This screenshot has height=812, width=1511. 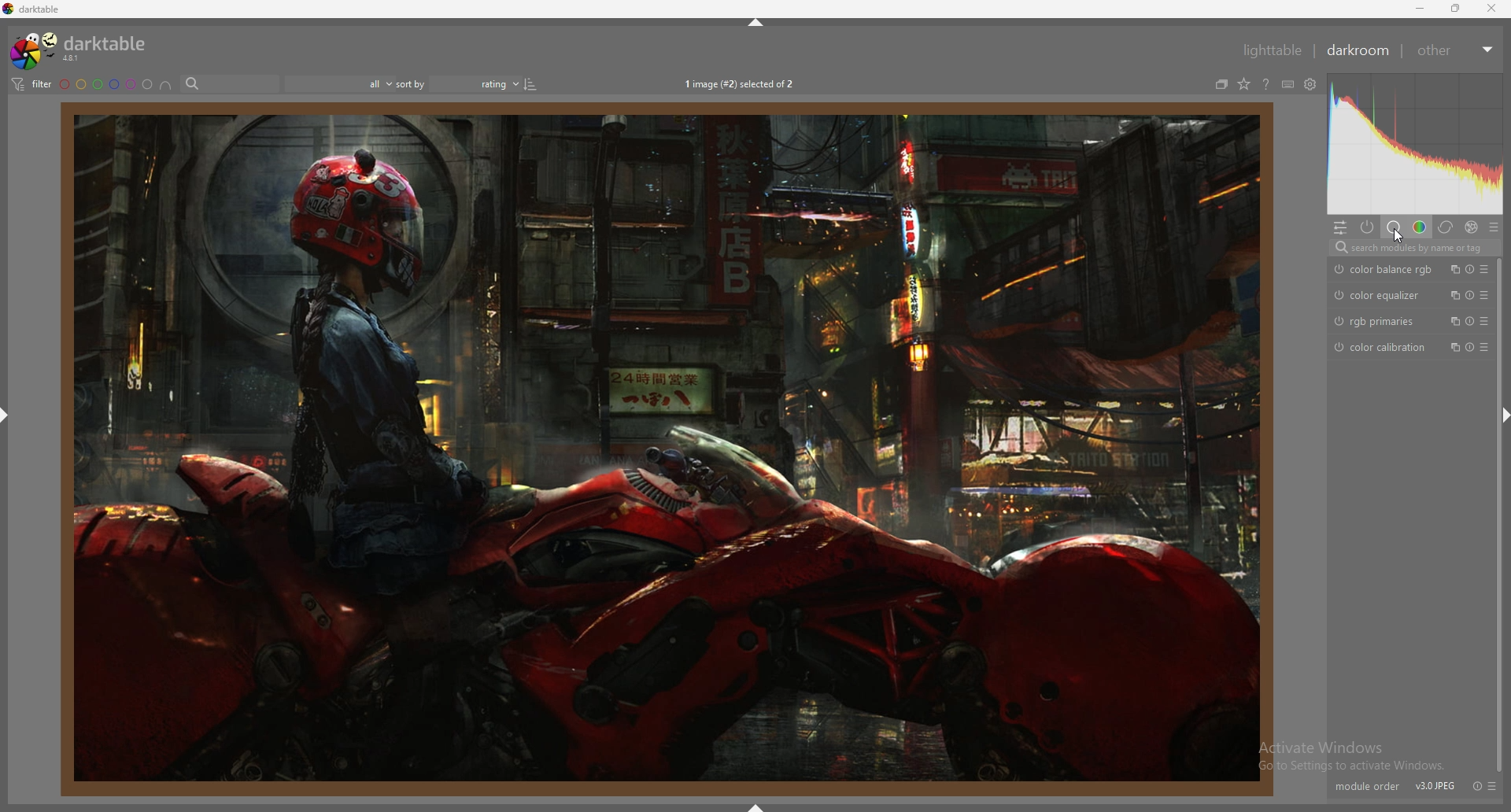 What do you see at coordinates (1368, 227) in the screenshot?
I see `active modules` at bounding box center [1368, 227].